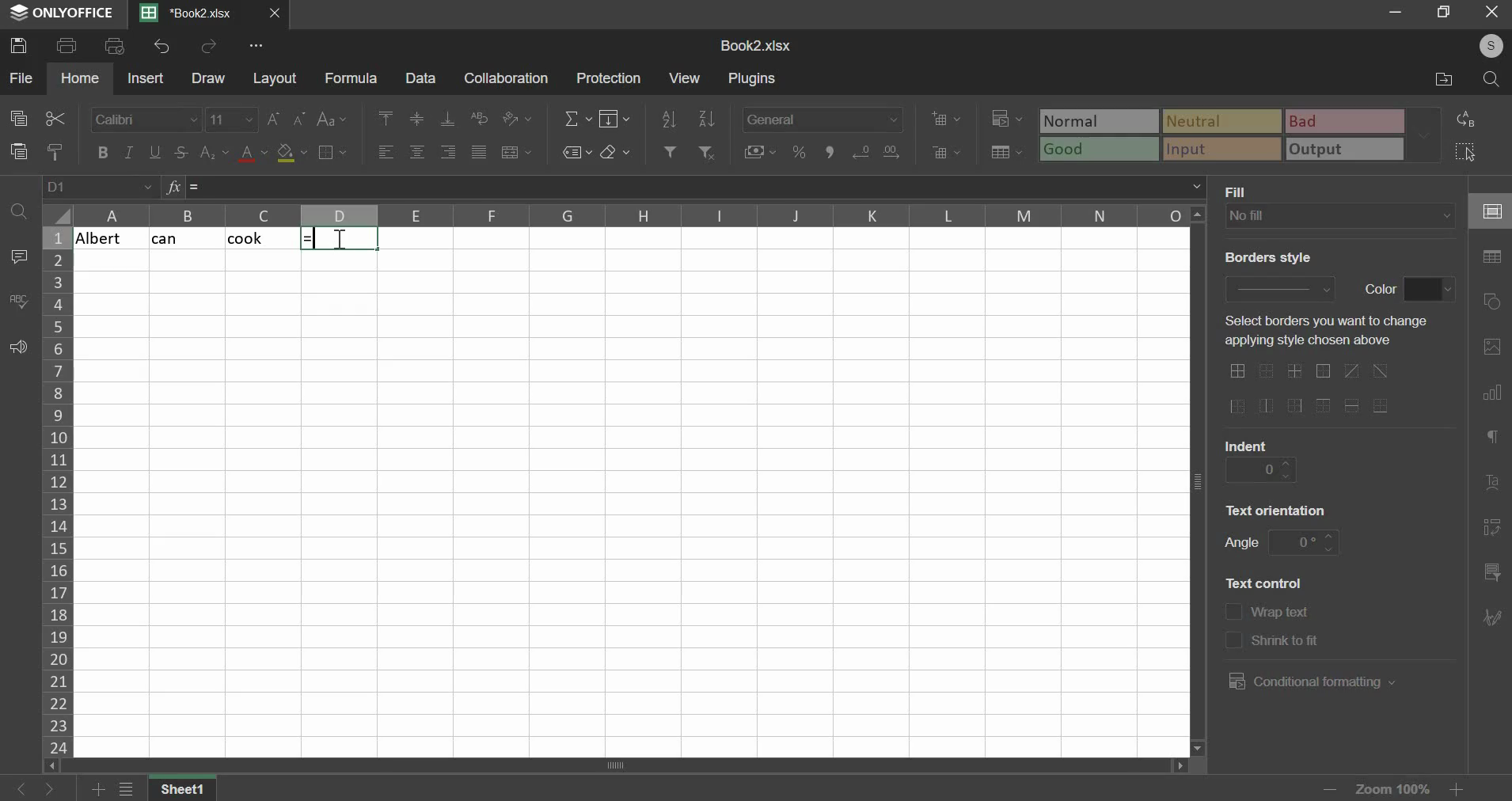 This screenshot has width=1512, height=801. I want to click on select, so click(1474, 152).